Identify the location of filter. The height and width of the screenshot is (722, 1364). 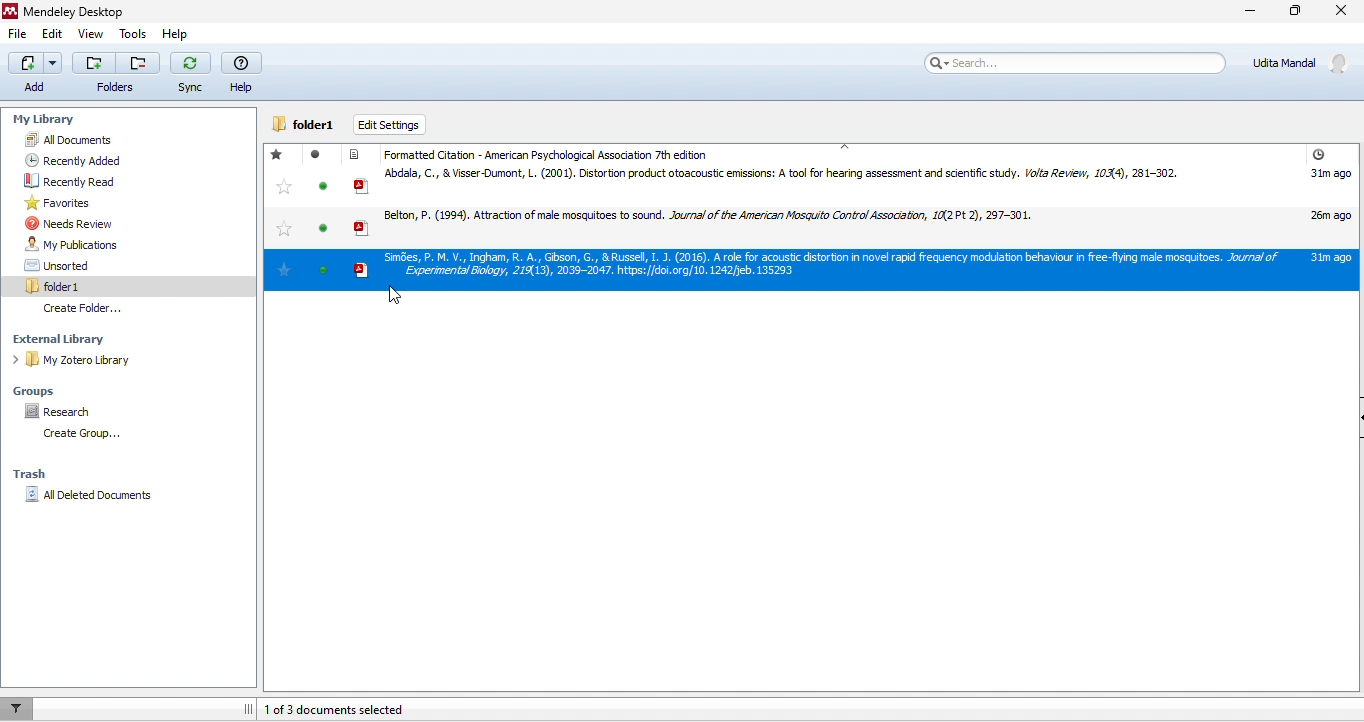
(21, 707).